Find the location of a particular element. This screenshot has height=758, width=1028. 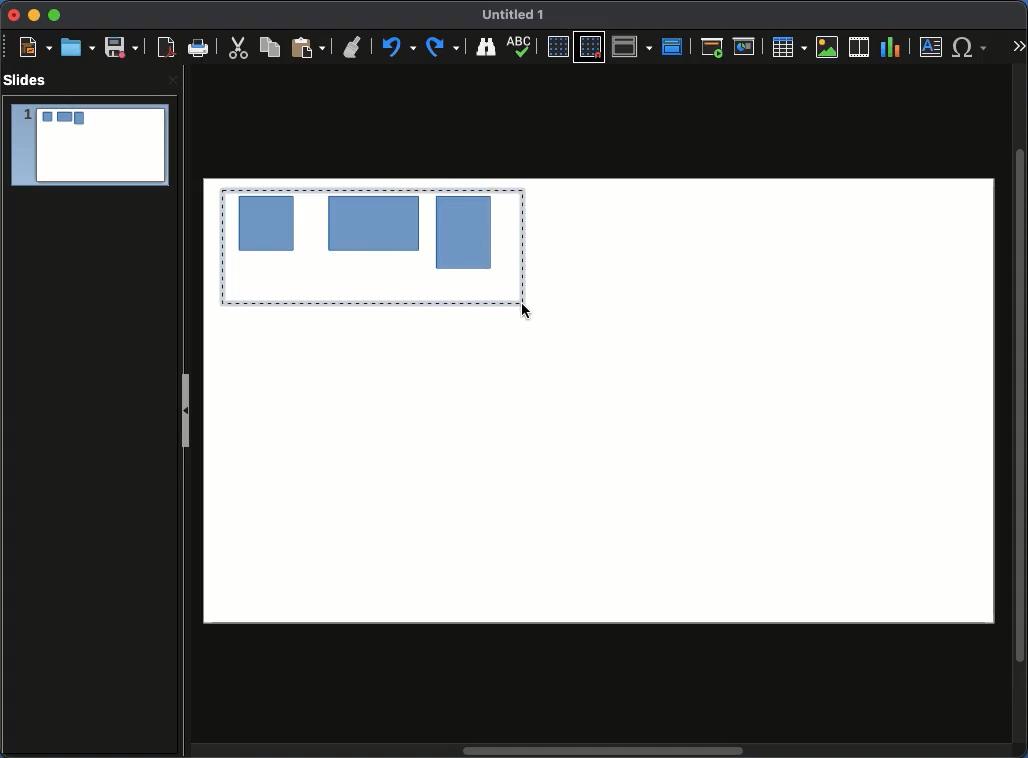

Name is located at coordinates (518, 16).